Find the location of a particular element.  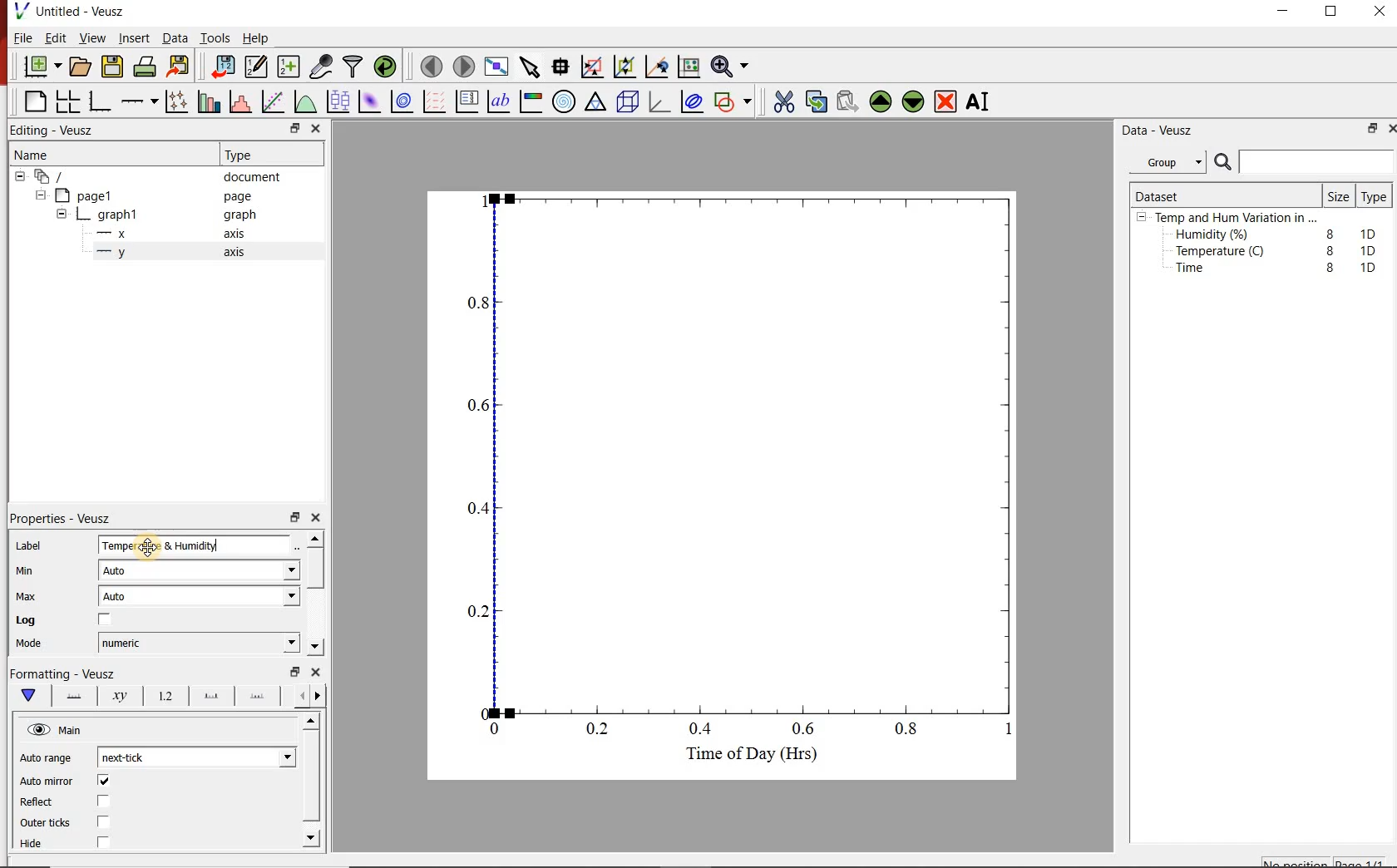

Temp and Hum Variation in ... is located at coordinates (1236, 218).